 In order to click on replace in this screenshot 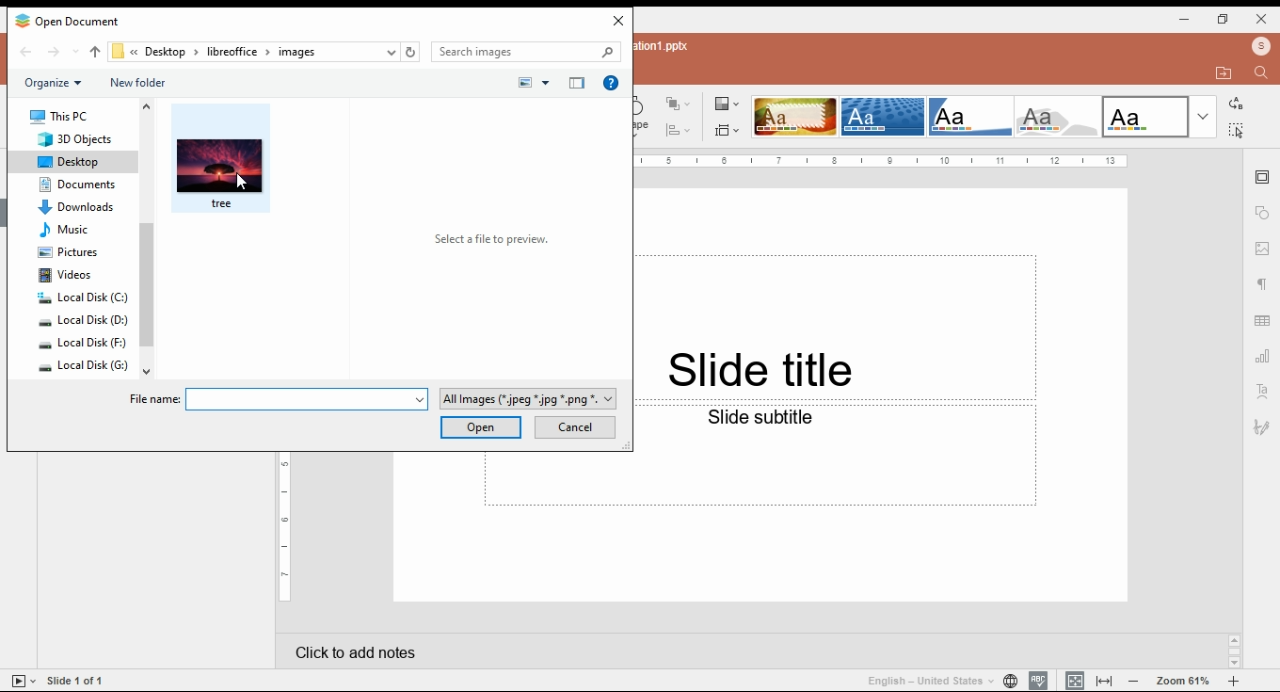, I will do `click(1235, 104)`.